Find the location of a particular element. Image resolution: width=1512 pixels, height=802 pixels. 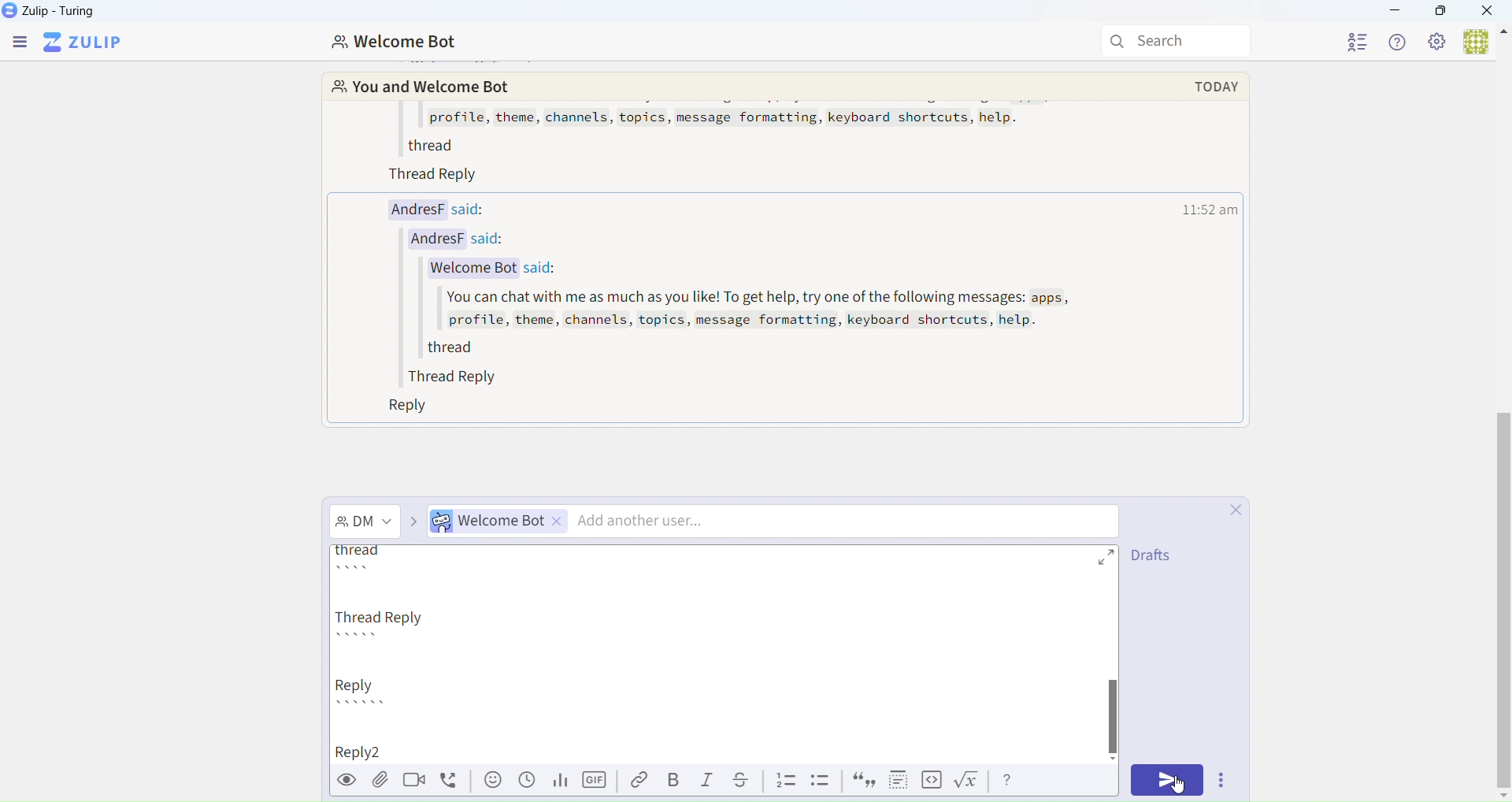

User is located at coordinates (1487, 42).